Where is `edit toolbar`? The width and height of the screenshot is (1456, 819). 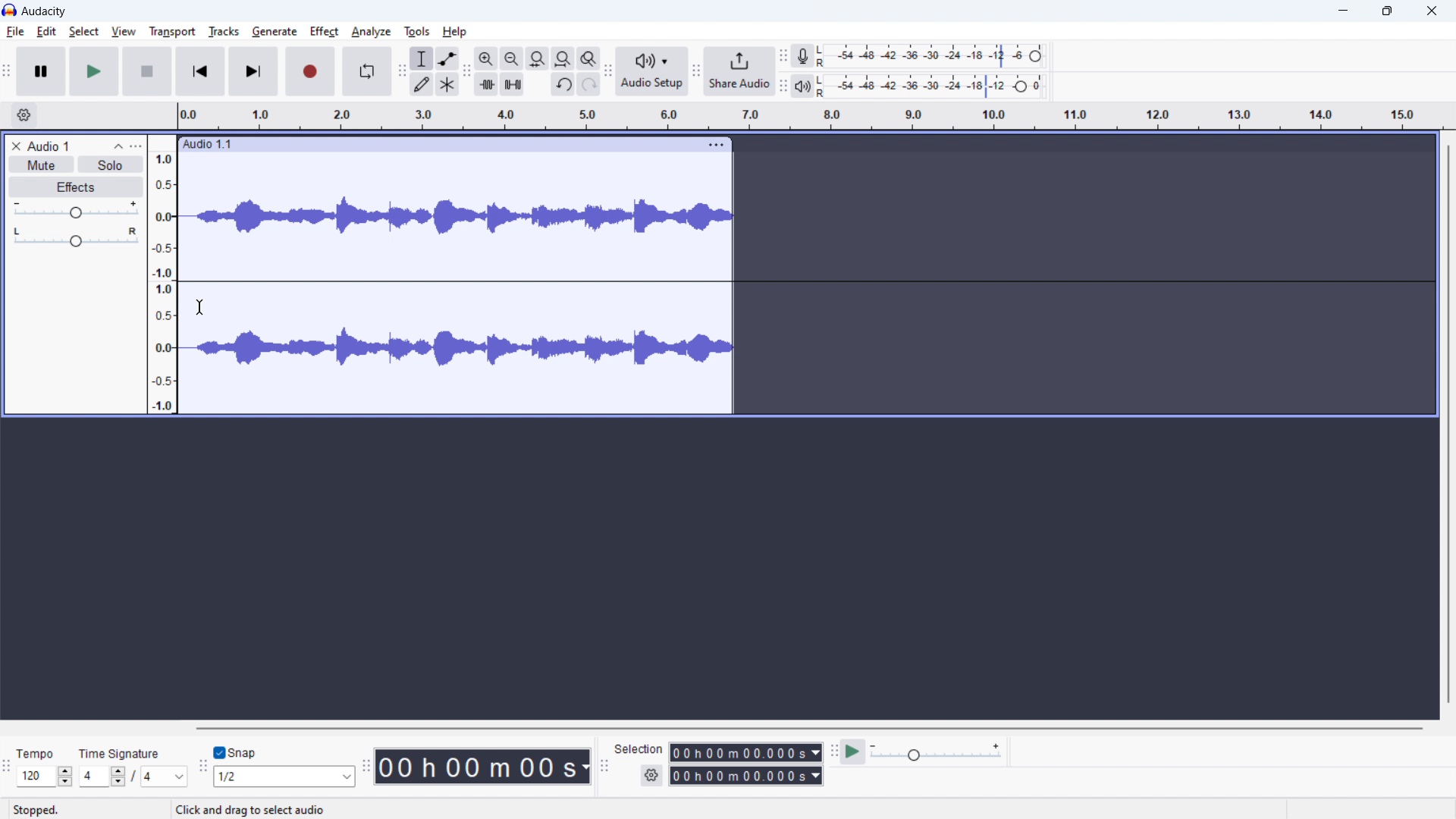
edit toolbar is located at coordinates (466, 71).